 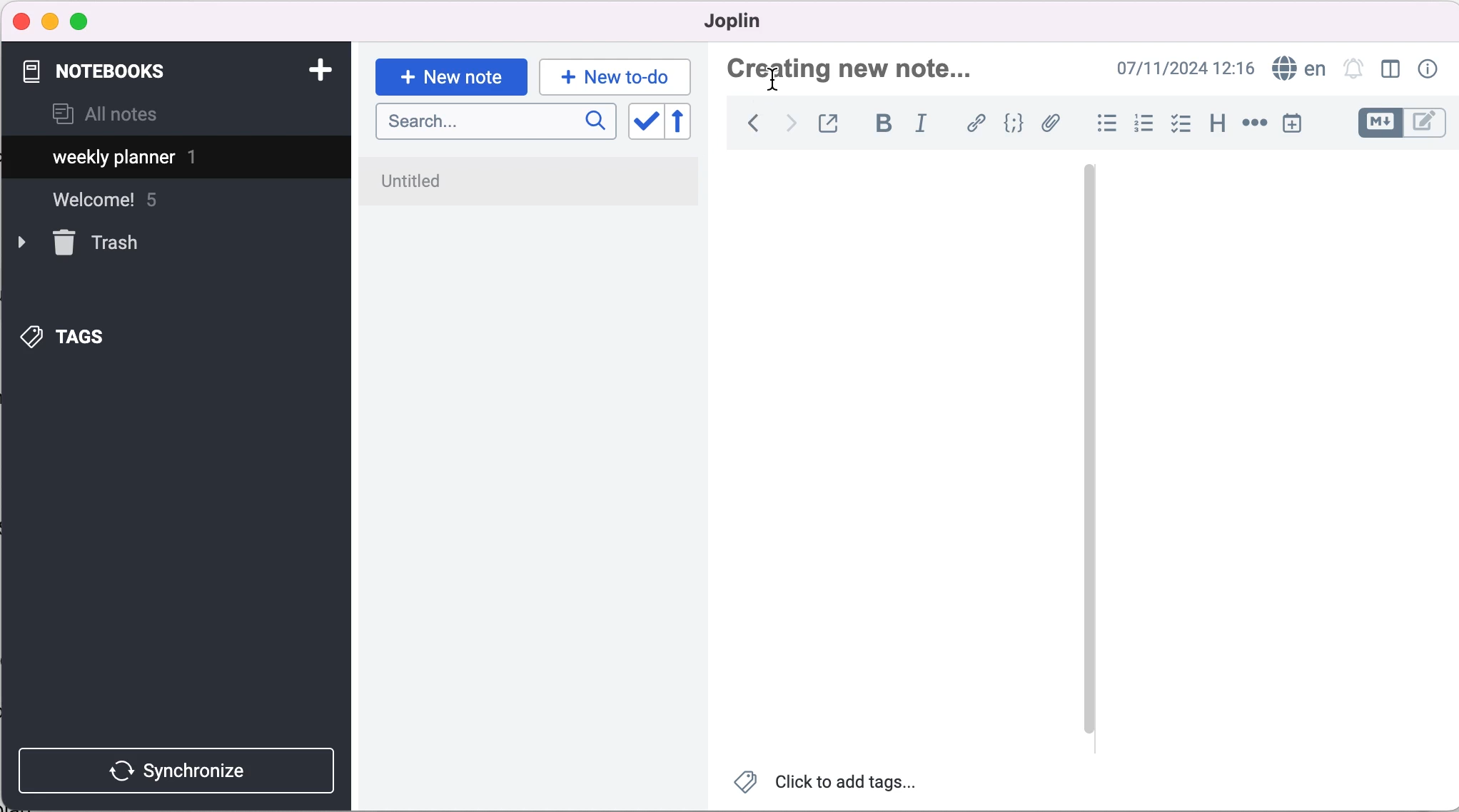 I want to click on language, so click(x=1296, y=69).